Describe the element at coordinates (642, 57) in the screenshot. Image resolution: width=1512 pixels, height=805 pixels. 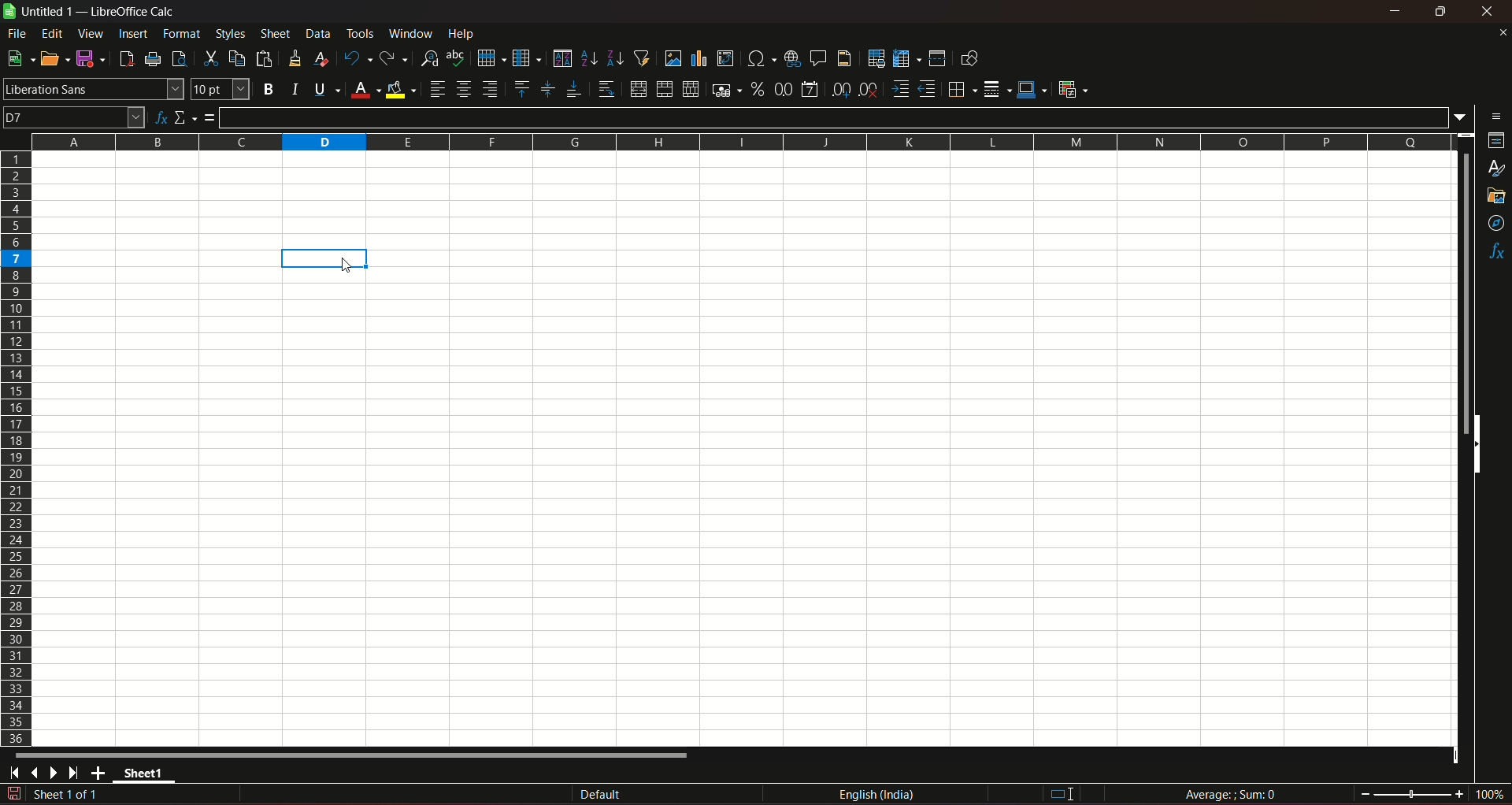
I see `auto filter` at that location.